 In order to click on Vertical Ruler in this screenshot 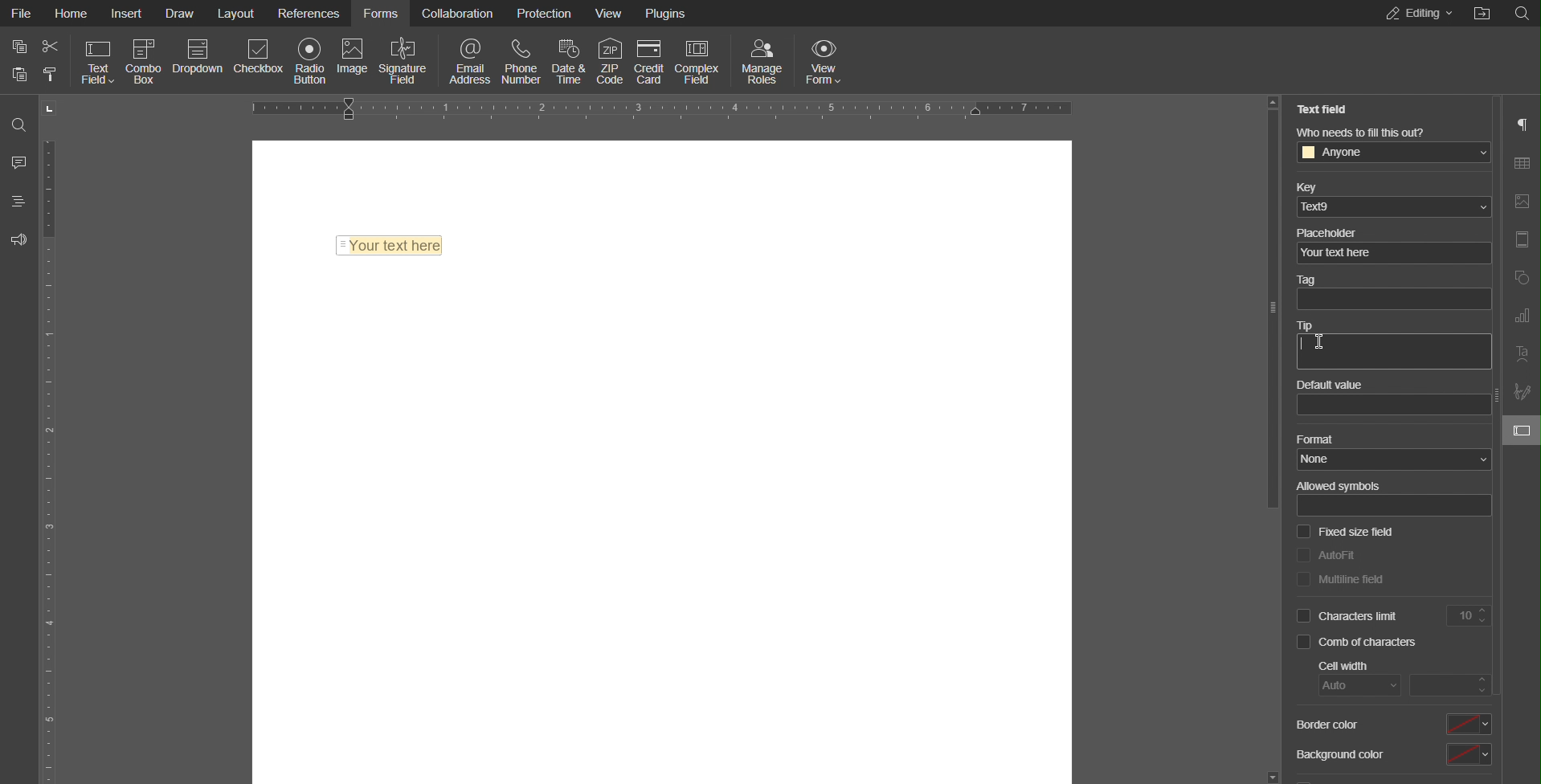, I will do `click(51, 440)`.